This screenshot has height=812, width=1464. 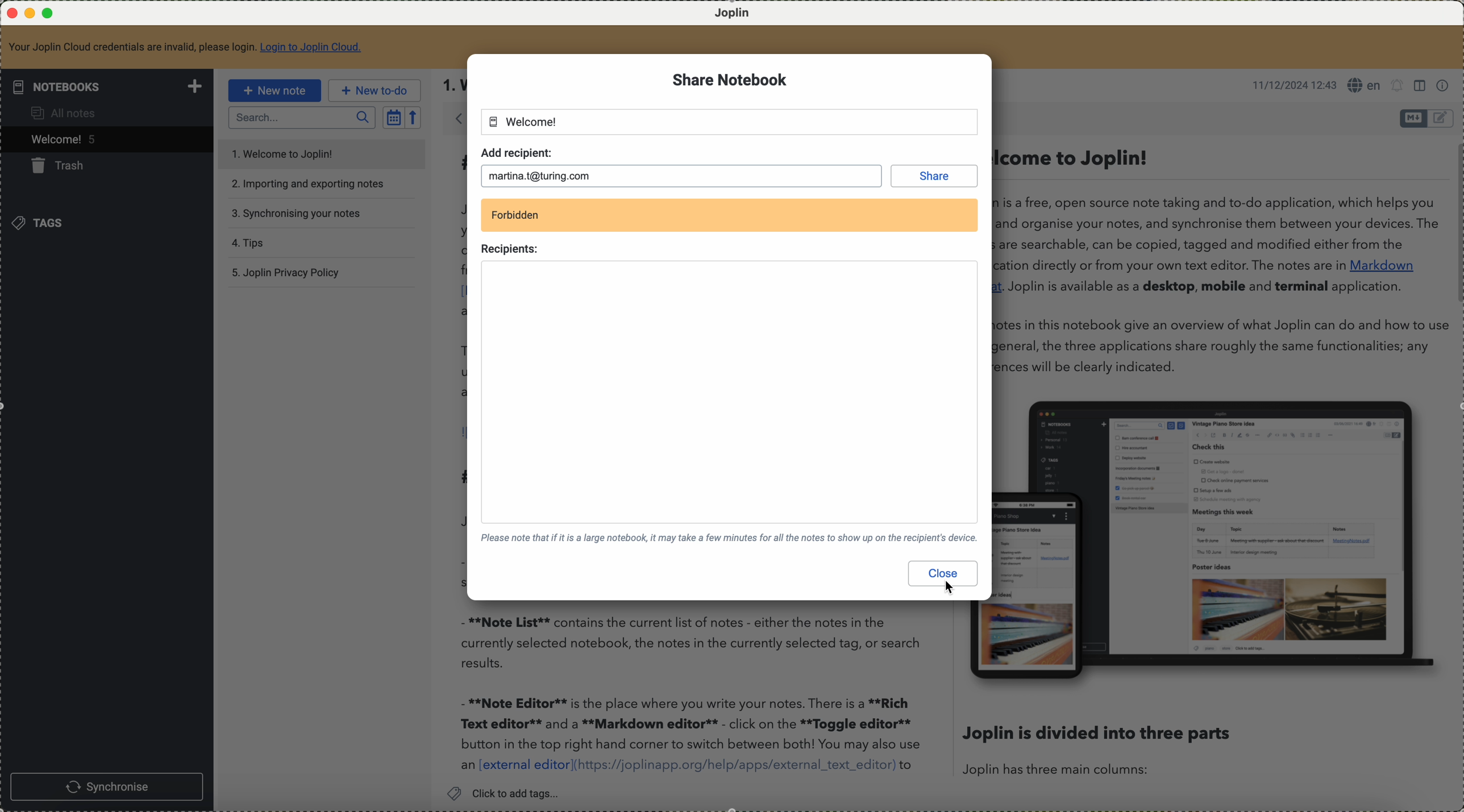 I want to click on please note that if it is a large notebook, it may take a few minutes for all the notes to show up on the recipient's device, so click(x=729, y=541).